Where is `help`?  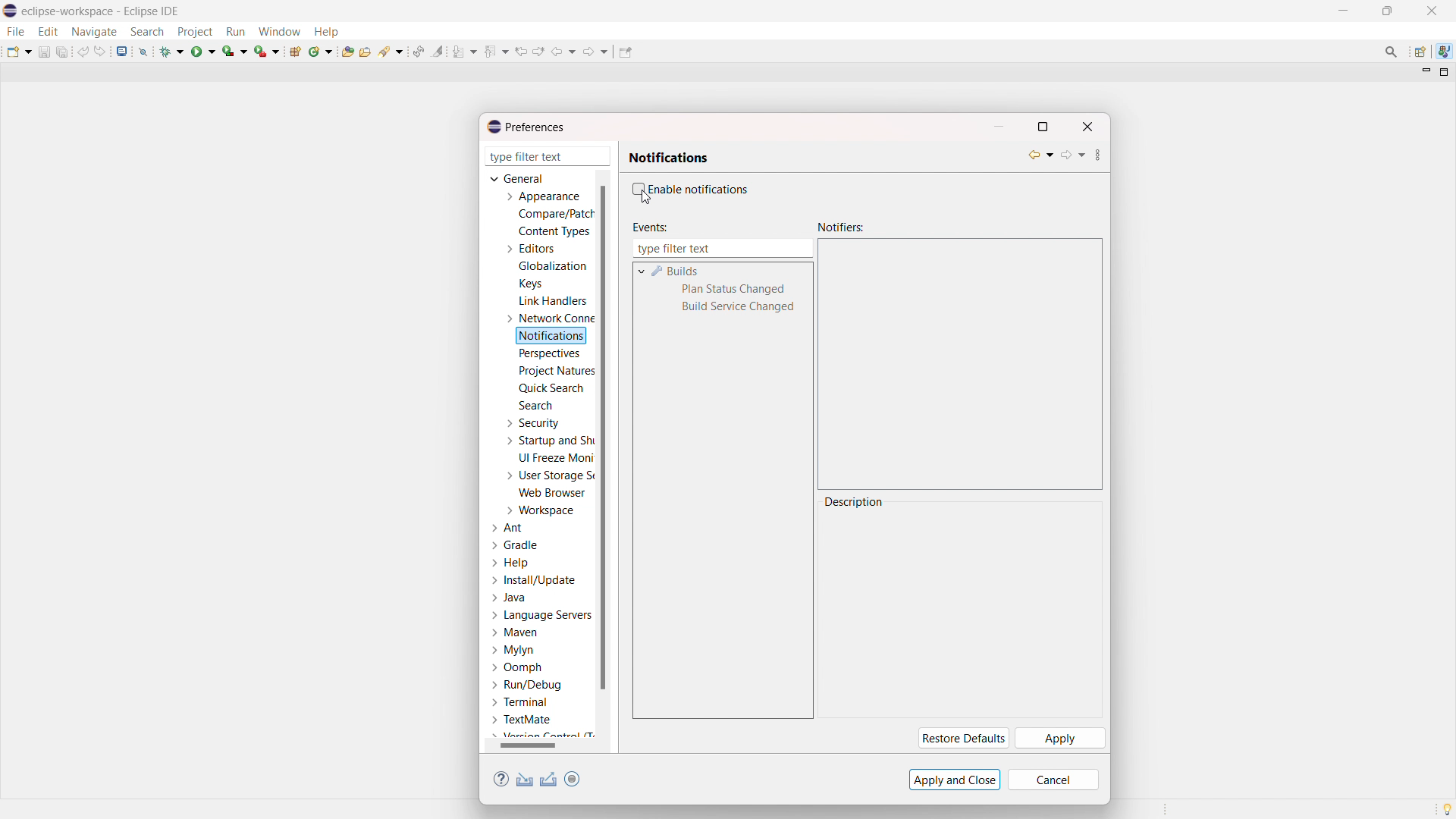 help is located at coordinates (511, 563).